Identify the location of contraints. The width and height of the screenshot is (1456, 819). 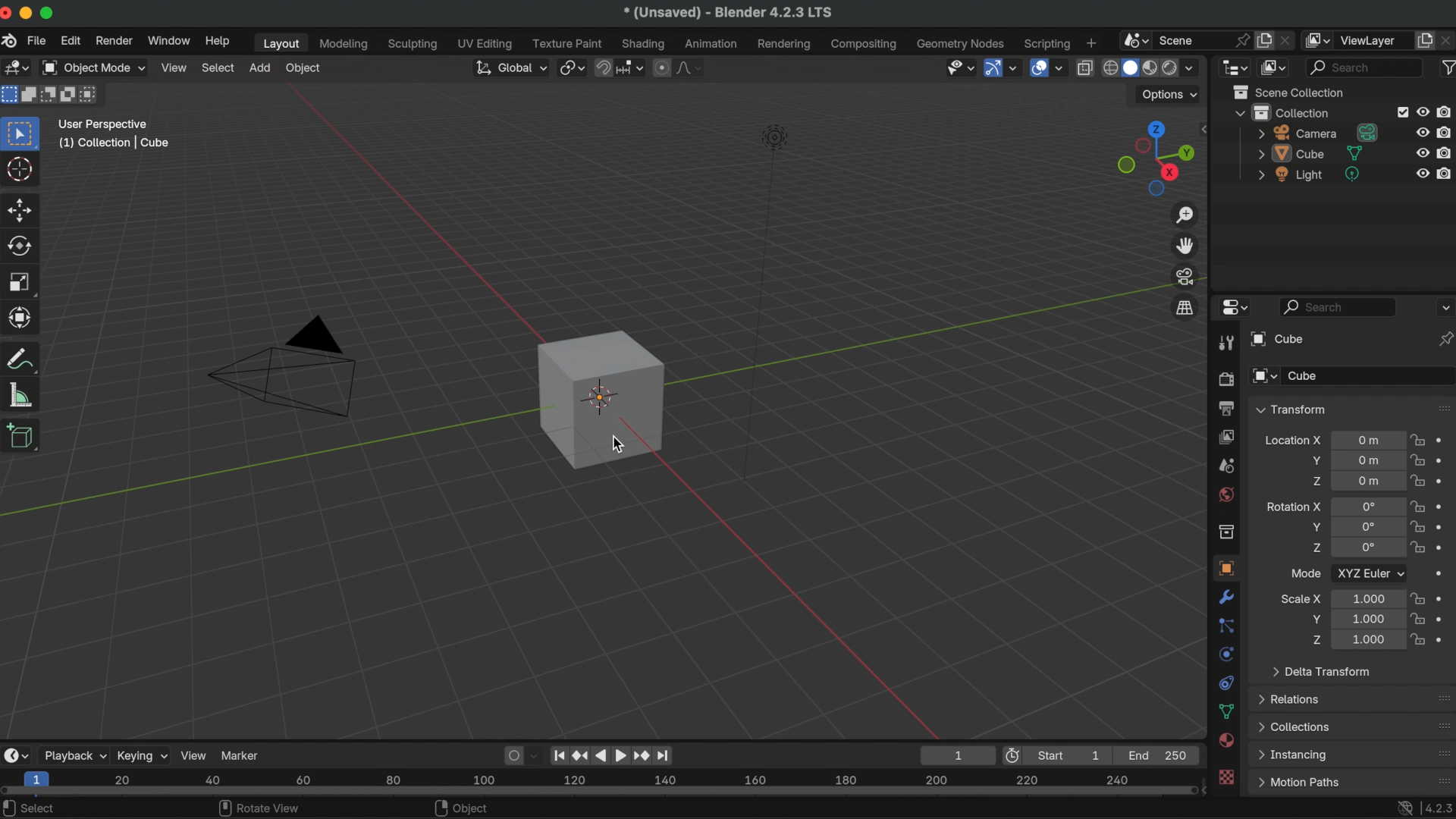
(1225, 681).